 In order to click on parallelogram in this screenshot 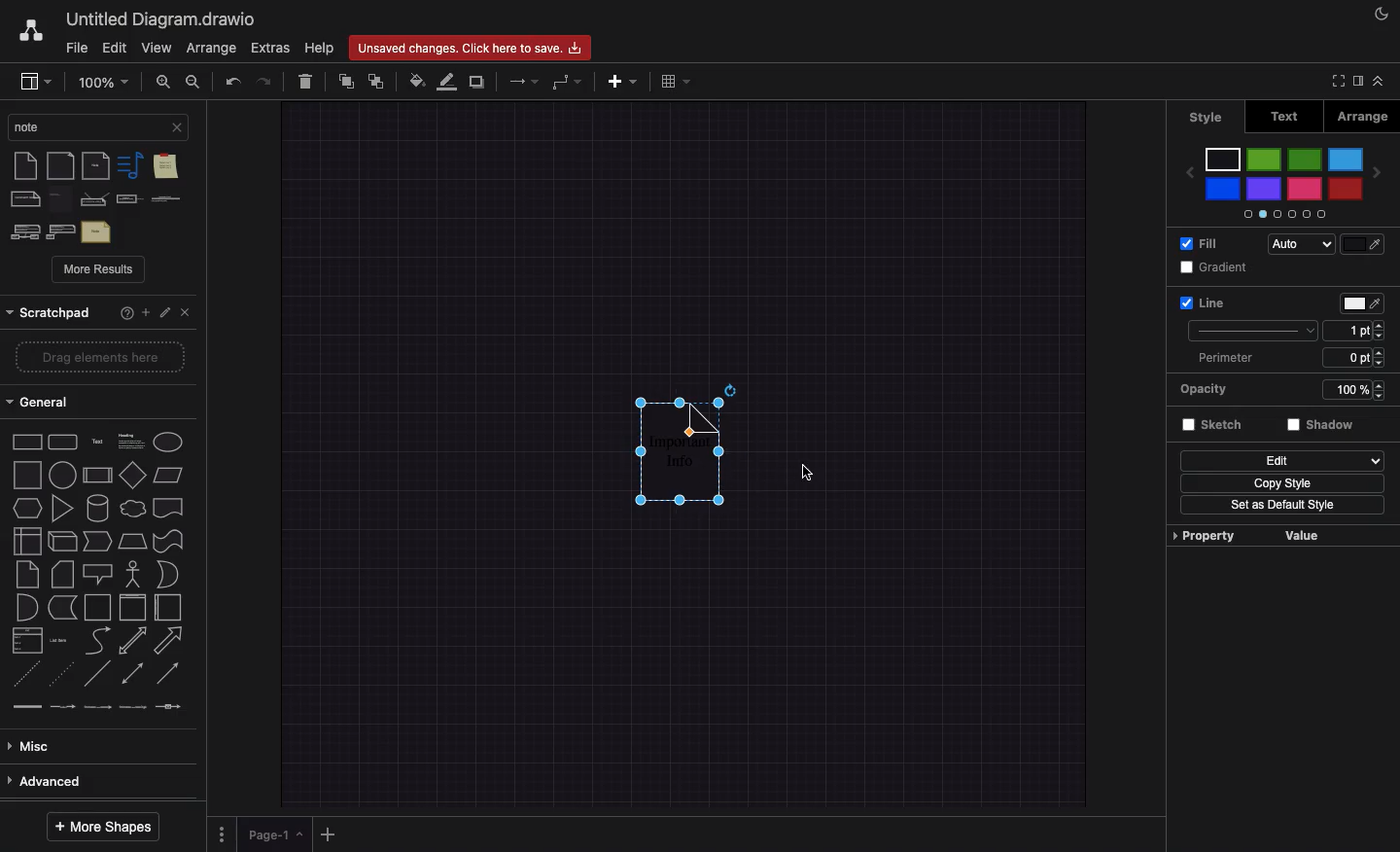, I will do `click(133, 474)`.